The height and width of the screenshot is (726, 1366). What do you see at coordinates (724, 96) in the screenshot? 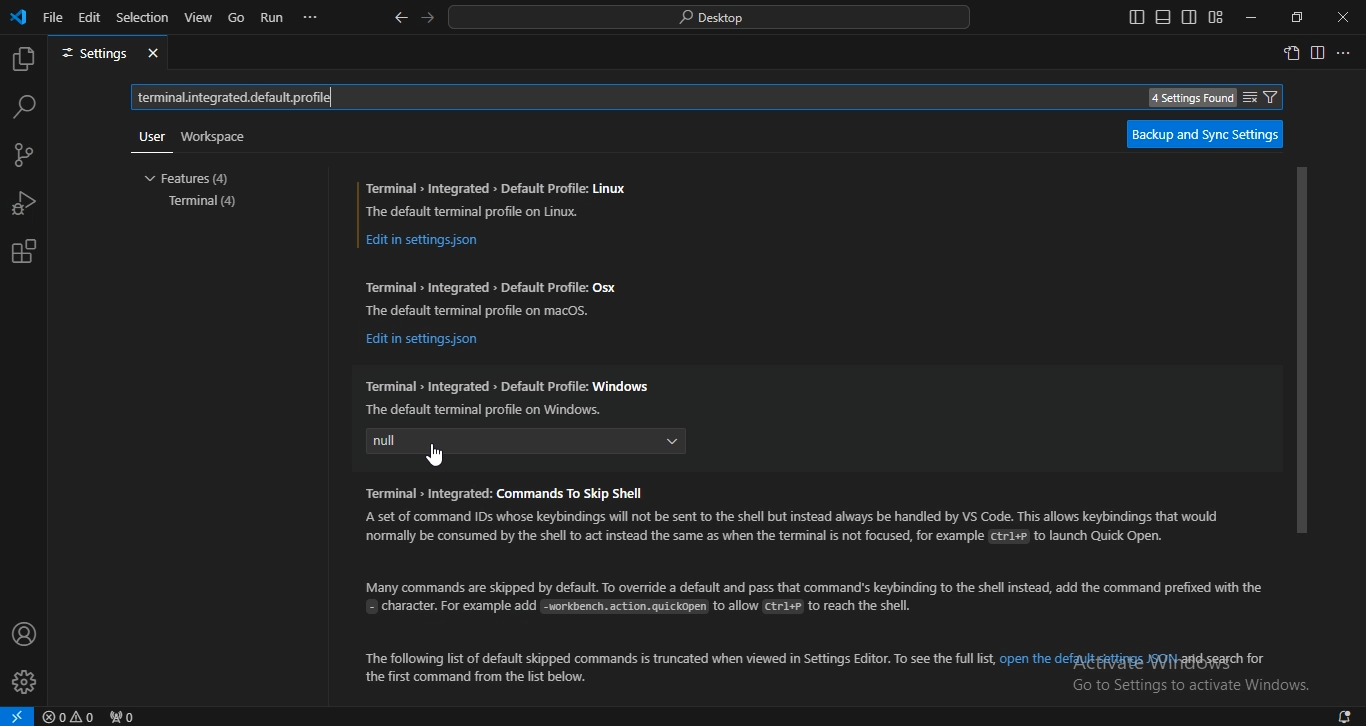
I see `Search settings` at bounding box center [724, 96].